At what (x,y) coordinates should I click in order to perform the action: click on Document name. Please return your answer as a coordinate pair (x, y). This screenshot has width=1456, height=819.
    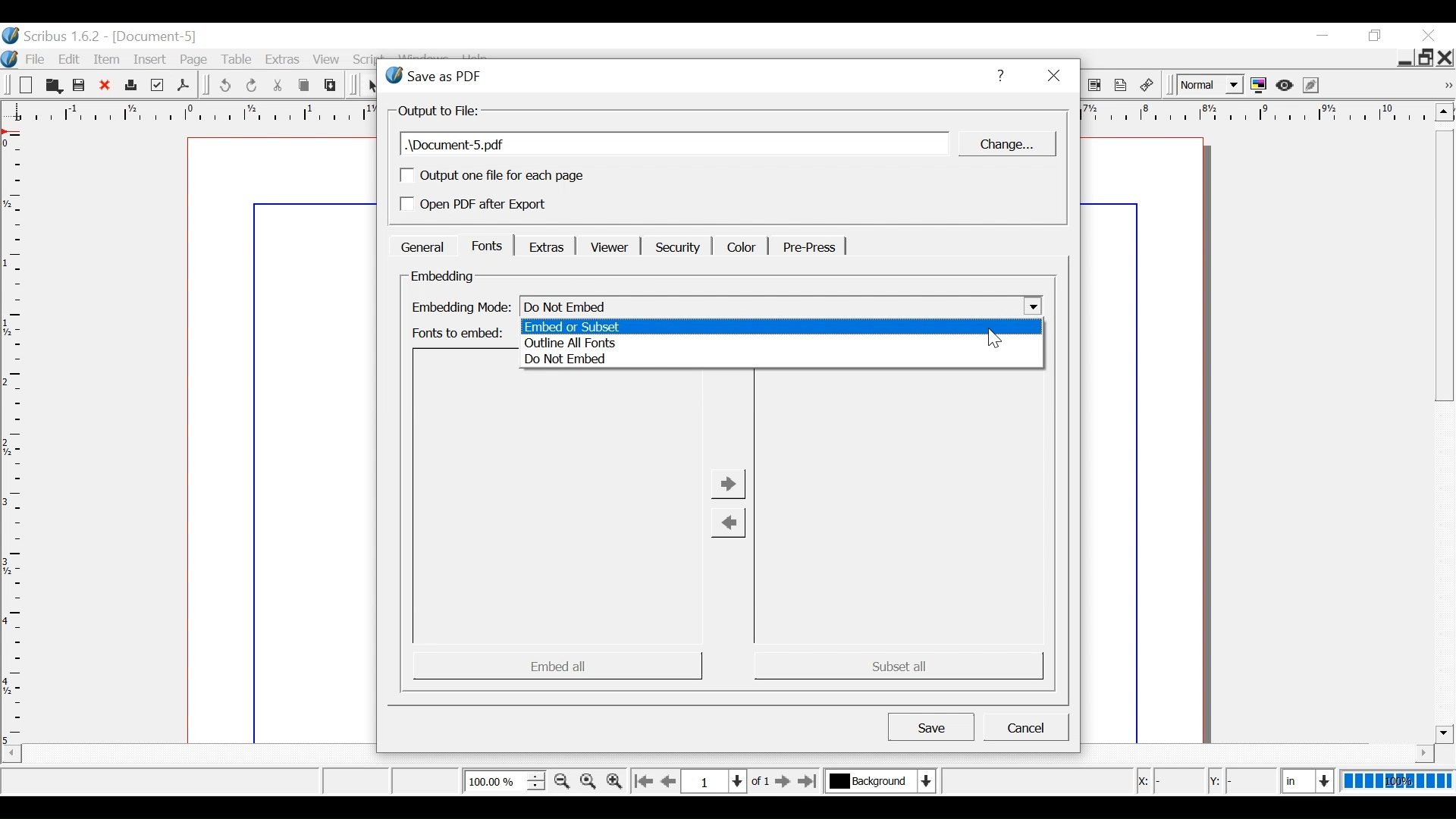
    Looking at the image, I should click on (156, 37).